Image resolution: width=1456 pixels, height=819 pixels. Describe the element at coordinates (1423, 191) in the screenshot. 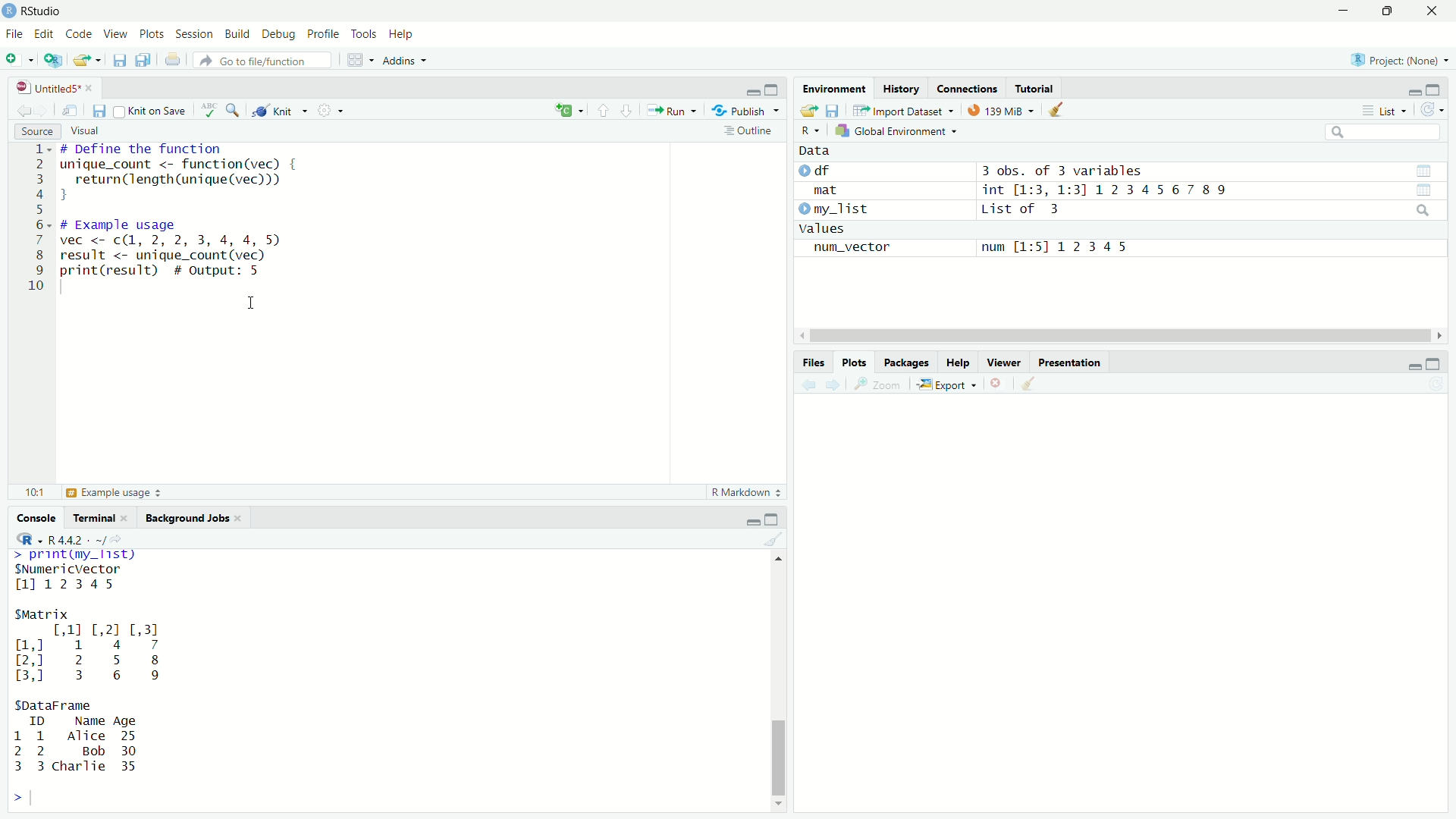

I see `view data` at that location.